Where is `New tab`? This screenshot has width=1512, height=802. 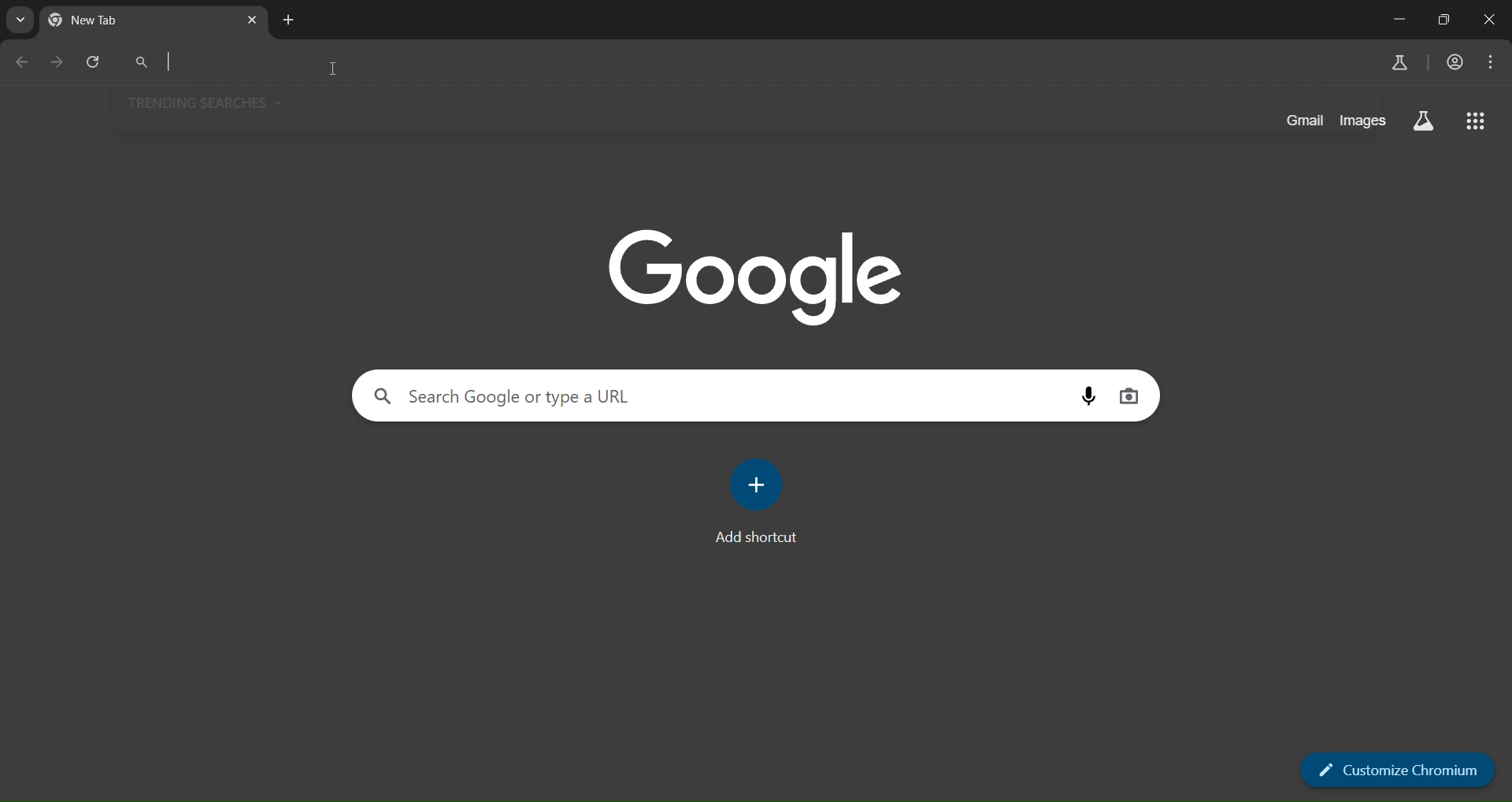 New tab is located at coordinates (109, 20).